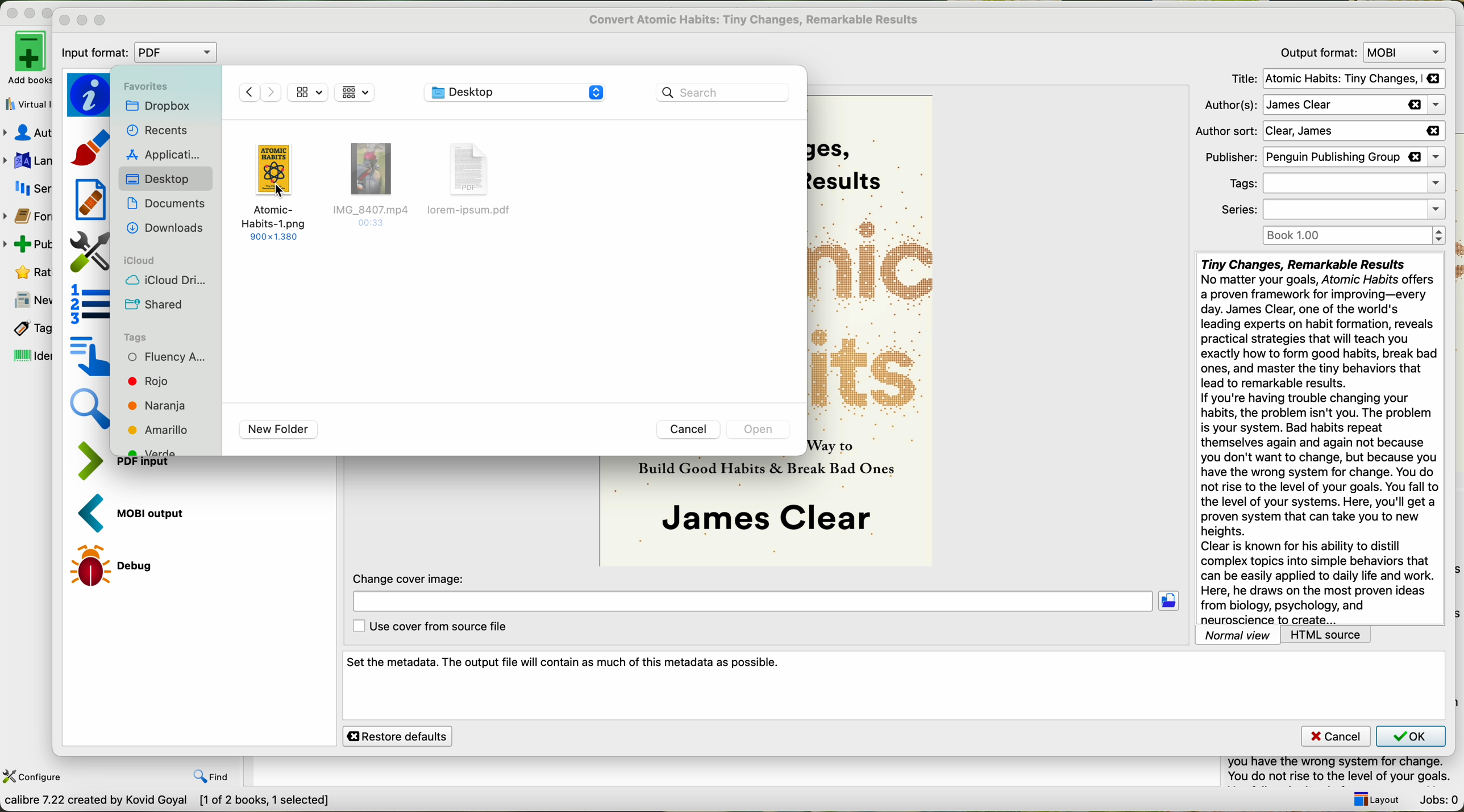 Image resolution: width=1464 pixels, height=812 pixels. I want to click on rating, so click(31, 271).